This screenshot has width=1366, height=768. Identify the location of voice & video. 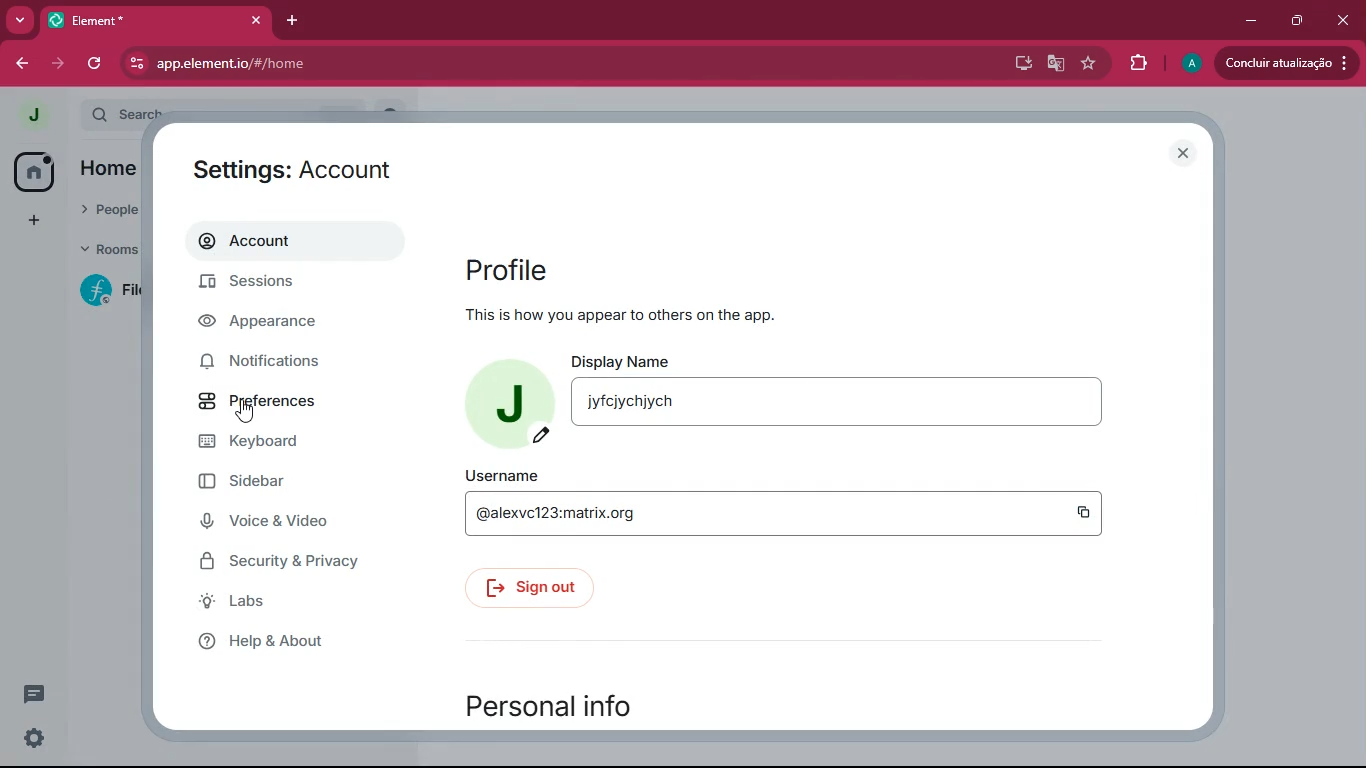
(287, 523).